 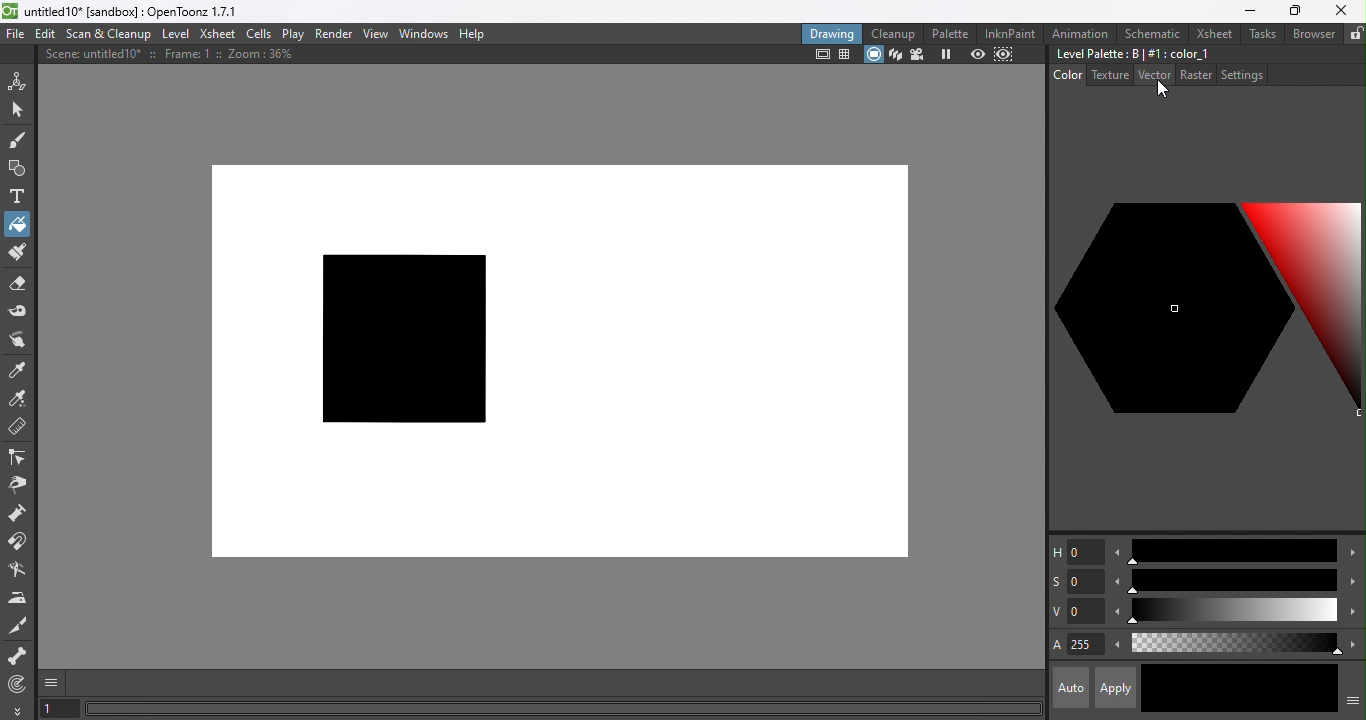 What do you see at coordinates (1151, 34) in the screenshot?
I see `Schematic` at bounding box center [1151, 34].